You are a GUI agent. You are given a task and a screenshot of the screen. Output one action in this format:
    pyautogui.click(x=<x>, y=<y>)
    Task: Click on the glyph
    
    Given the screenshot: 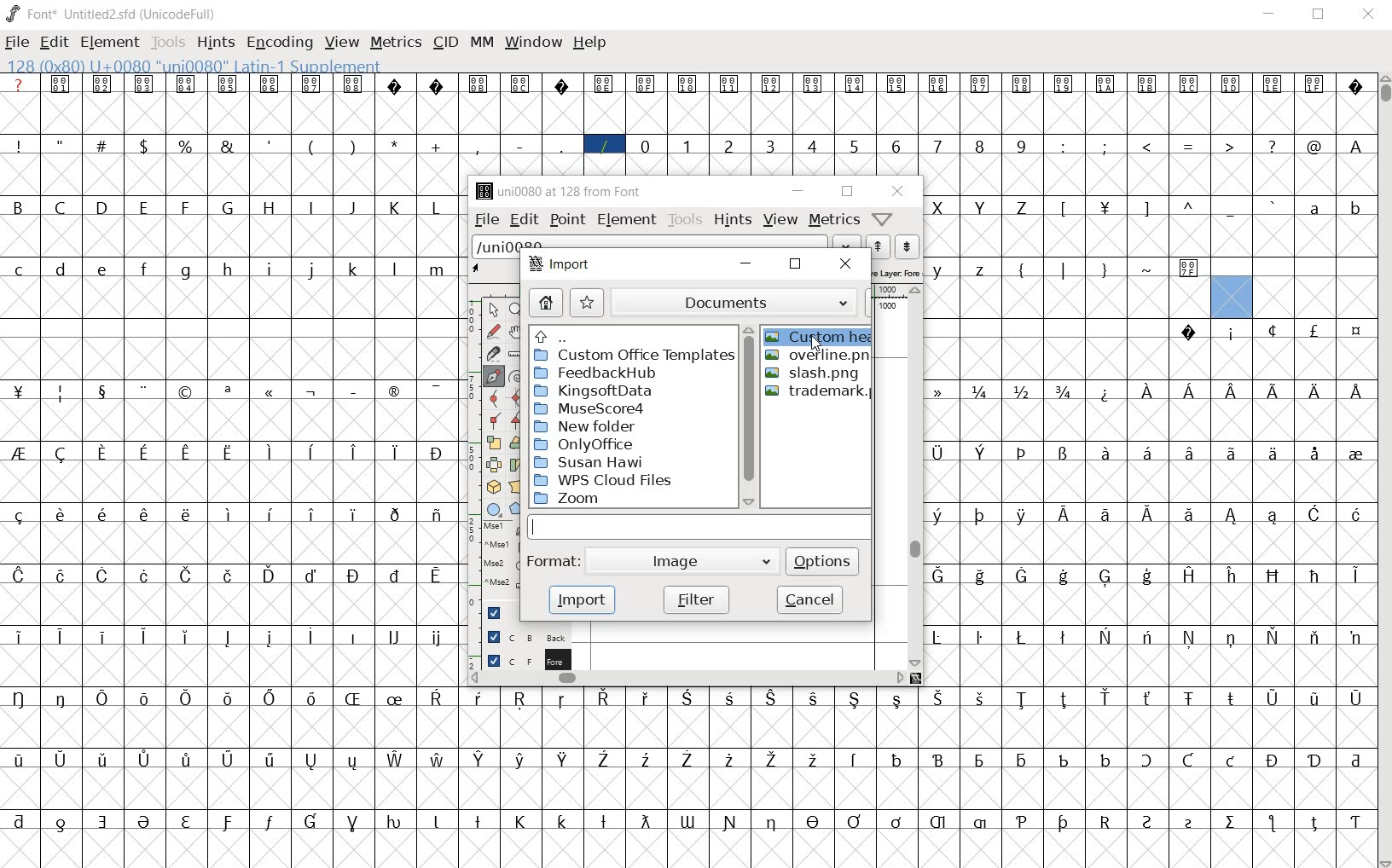 What is the action you would take?
    pyautogui.click(x=645, y=146)
    